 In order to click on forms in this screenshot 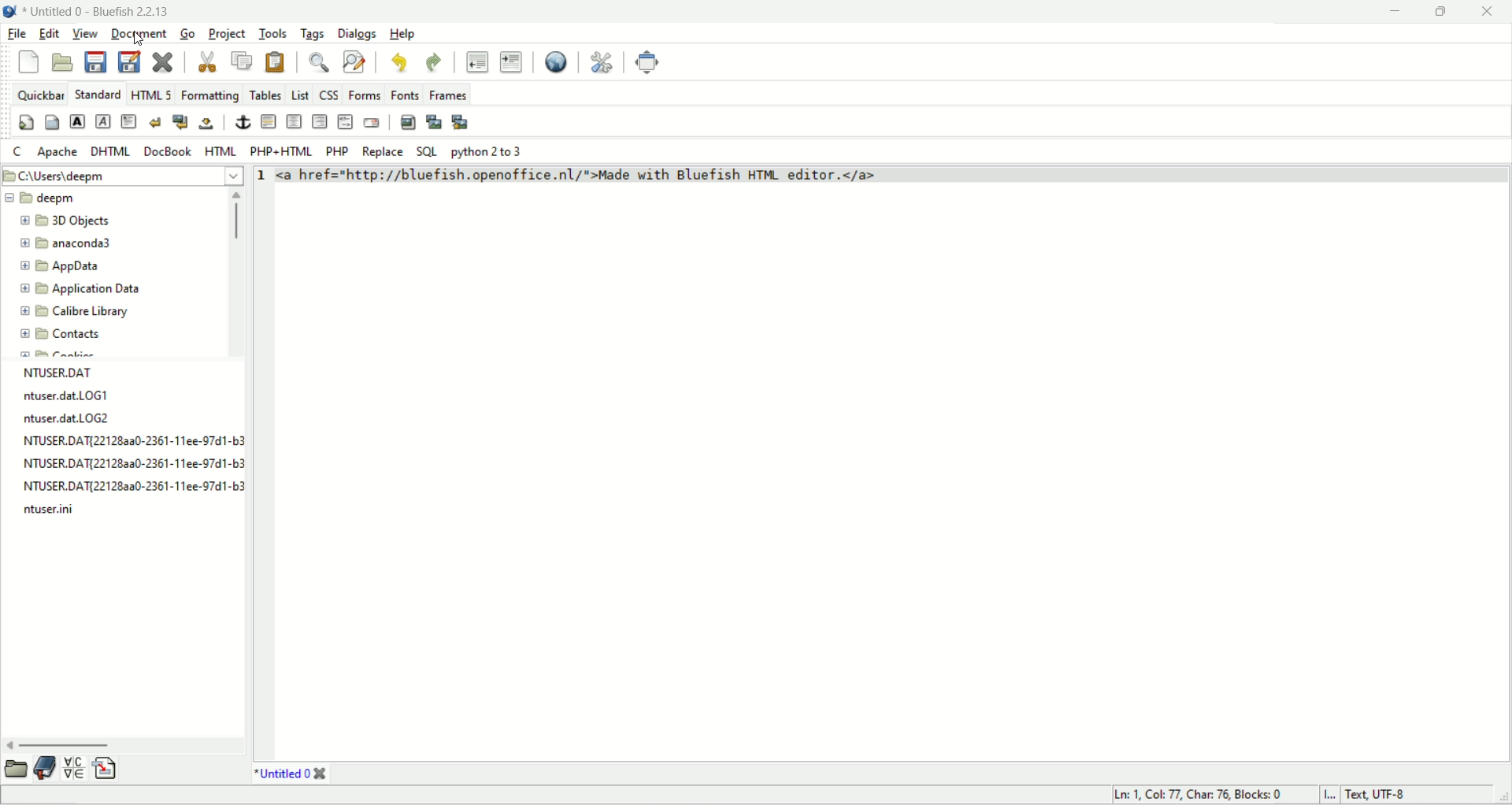, I will do `click(366, 95)`.